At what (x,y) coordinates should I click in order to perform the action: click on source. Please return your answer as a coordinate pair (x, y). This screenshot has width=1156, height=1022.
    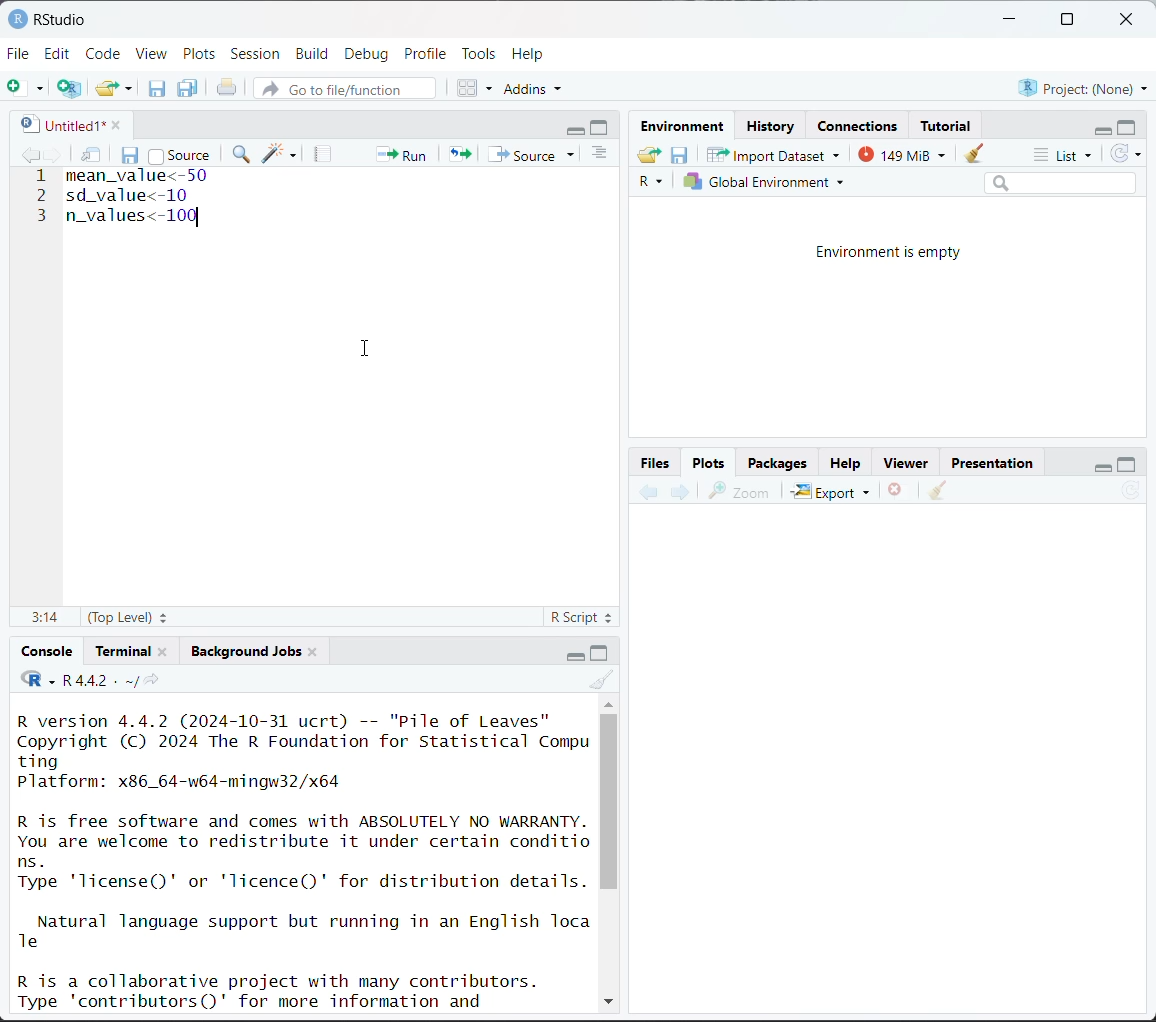
    Looking at the image, I should click on (535, 154).